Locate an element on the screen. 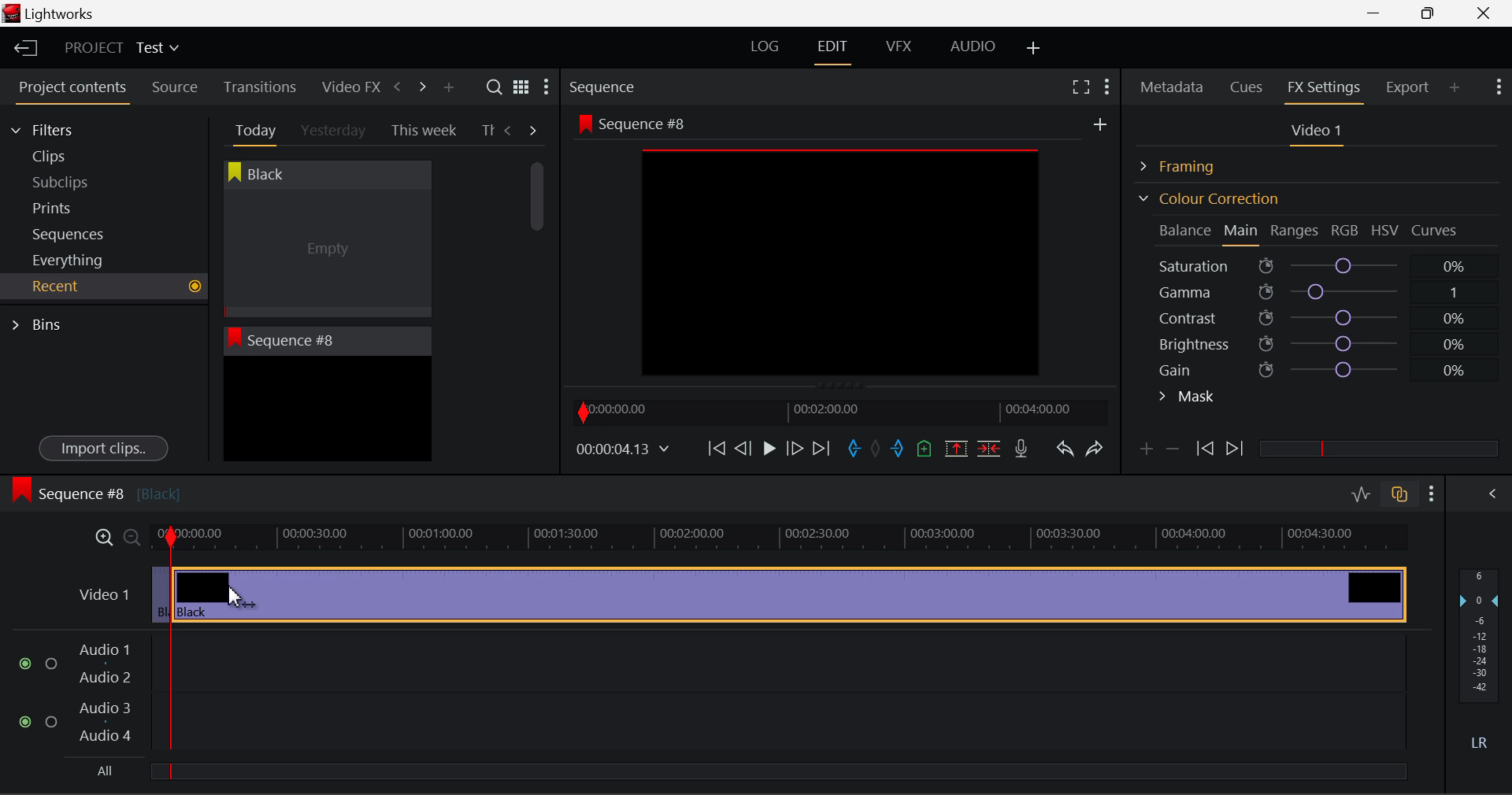 Image resolution: width=1512 pixels, height=795 pixels. Balance Section is located at coordinates (1187, 230).